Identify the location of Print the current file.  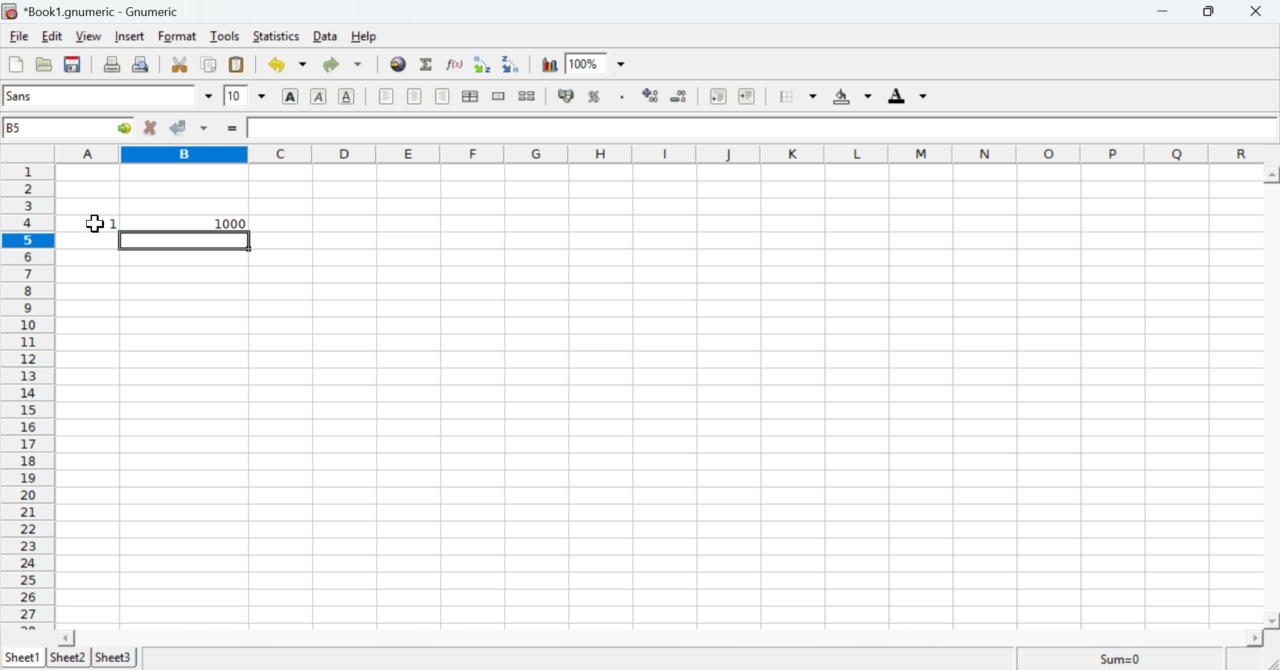
(111, 63).